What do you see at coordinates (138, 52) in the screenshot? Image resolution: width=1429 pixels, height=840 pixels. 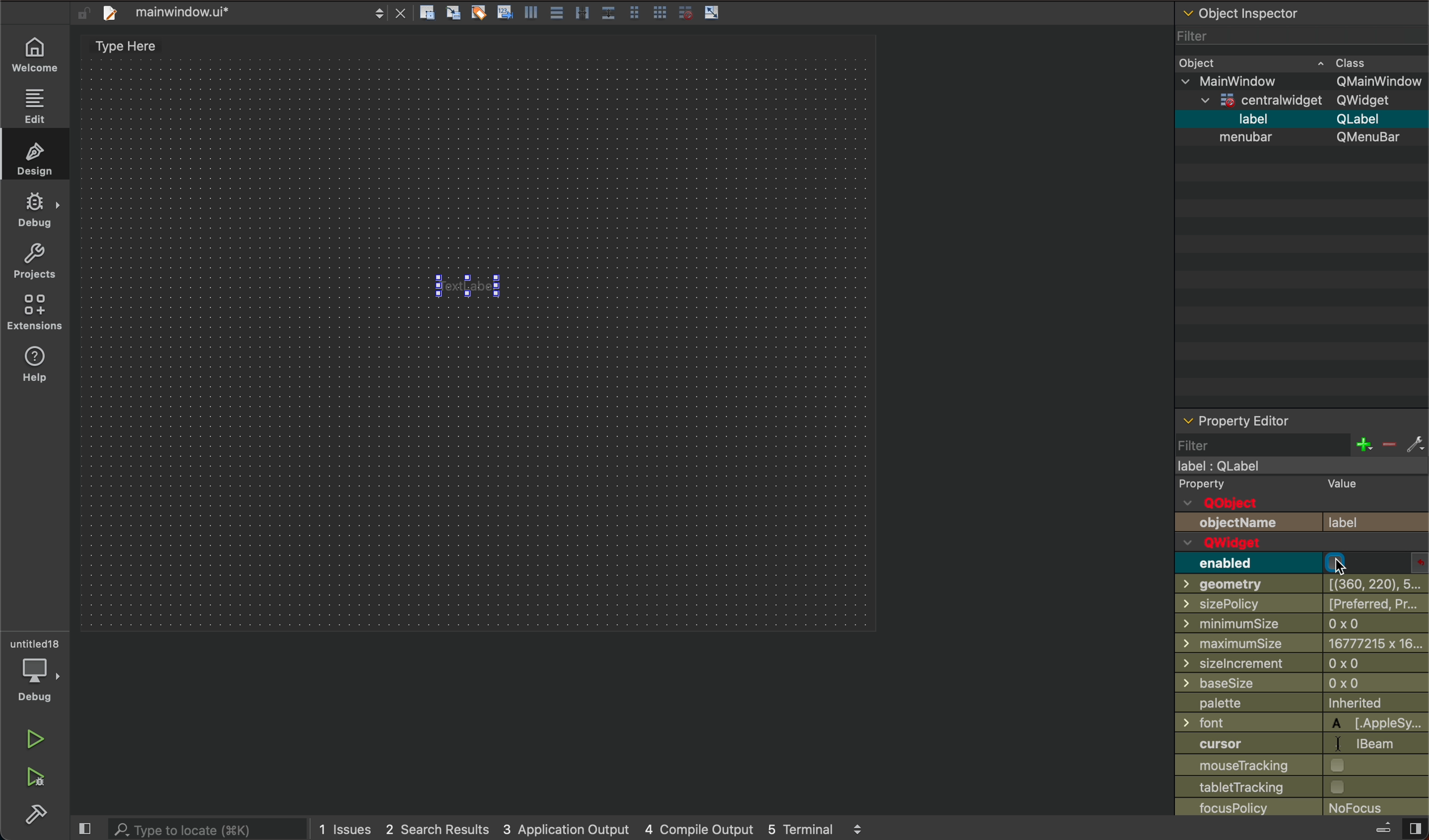 I see `type here` at bounding box center [138, 52].